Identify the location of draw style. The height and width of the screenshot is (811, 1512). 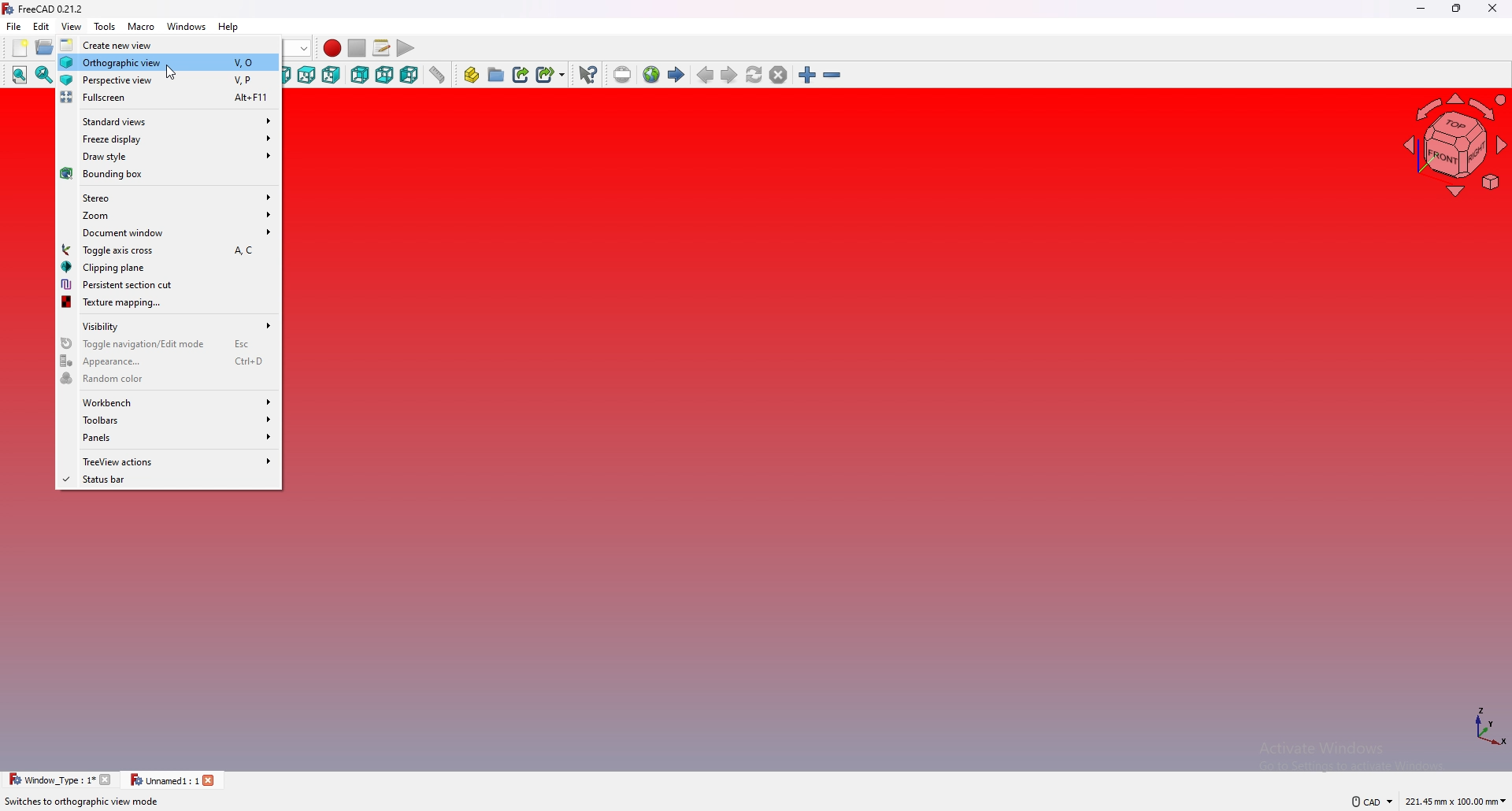
(168, 157).